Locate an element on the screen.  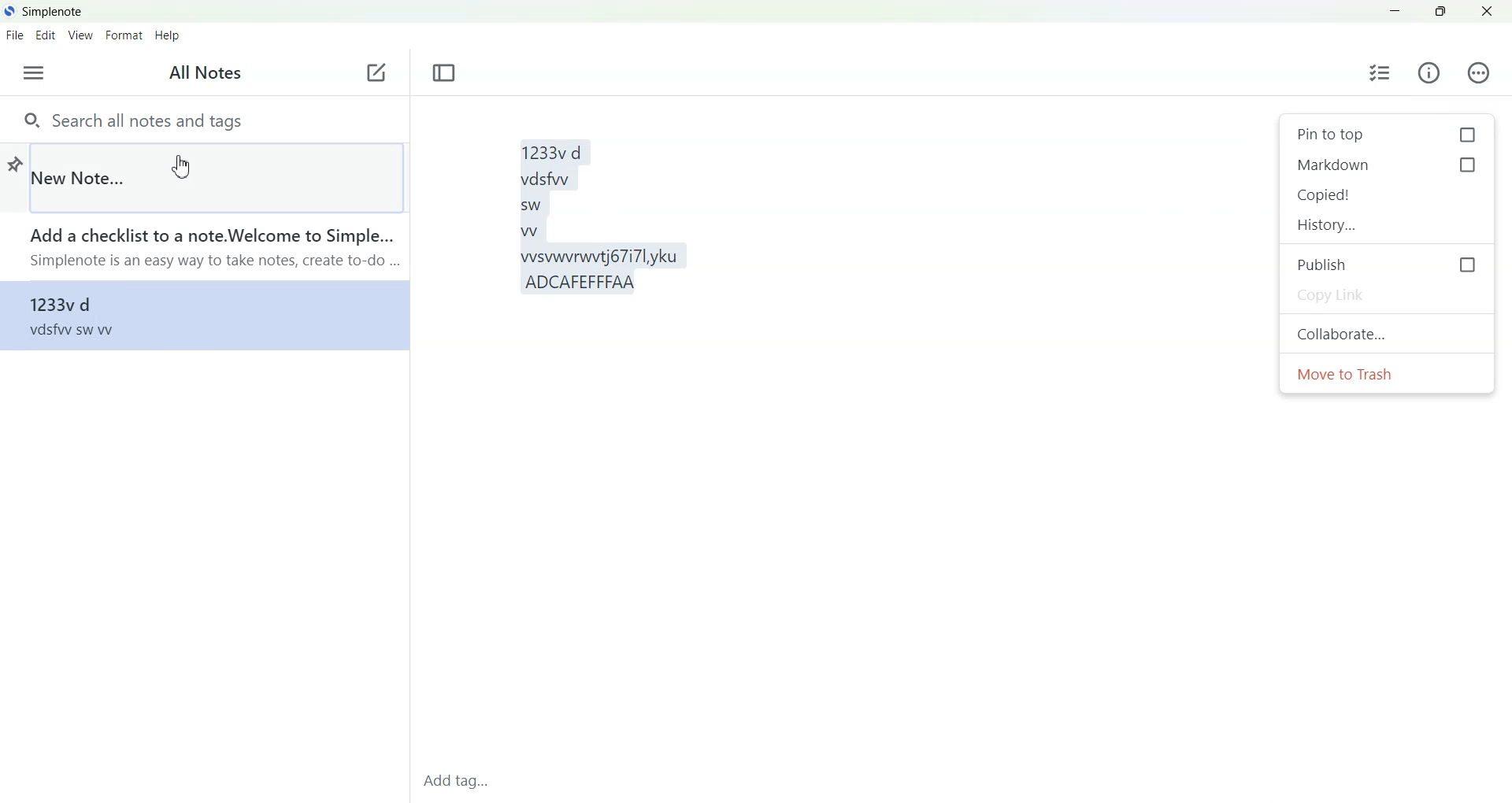
Publish is located at coordinates (1387, 264).